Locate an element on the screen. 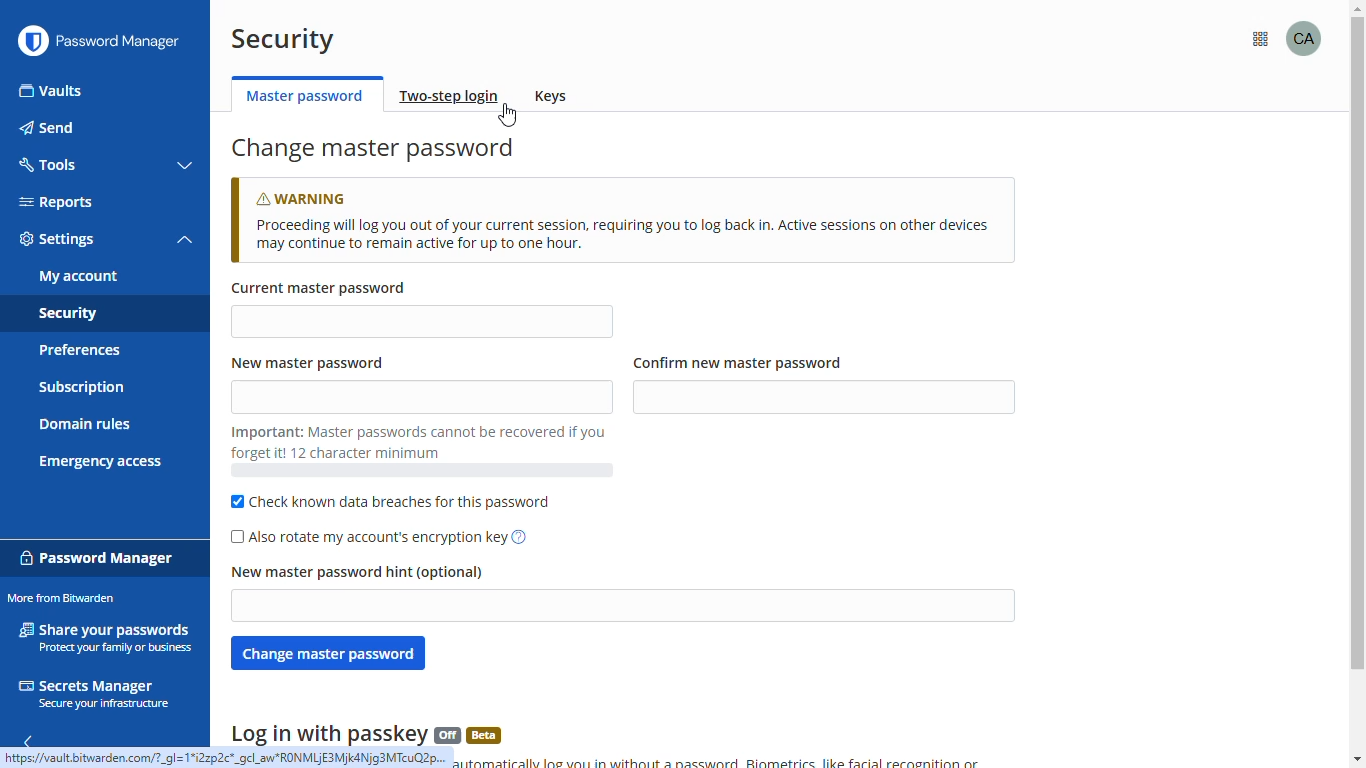  new master password hint (optional) is located at coordinates (624, 595).